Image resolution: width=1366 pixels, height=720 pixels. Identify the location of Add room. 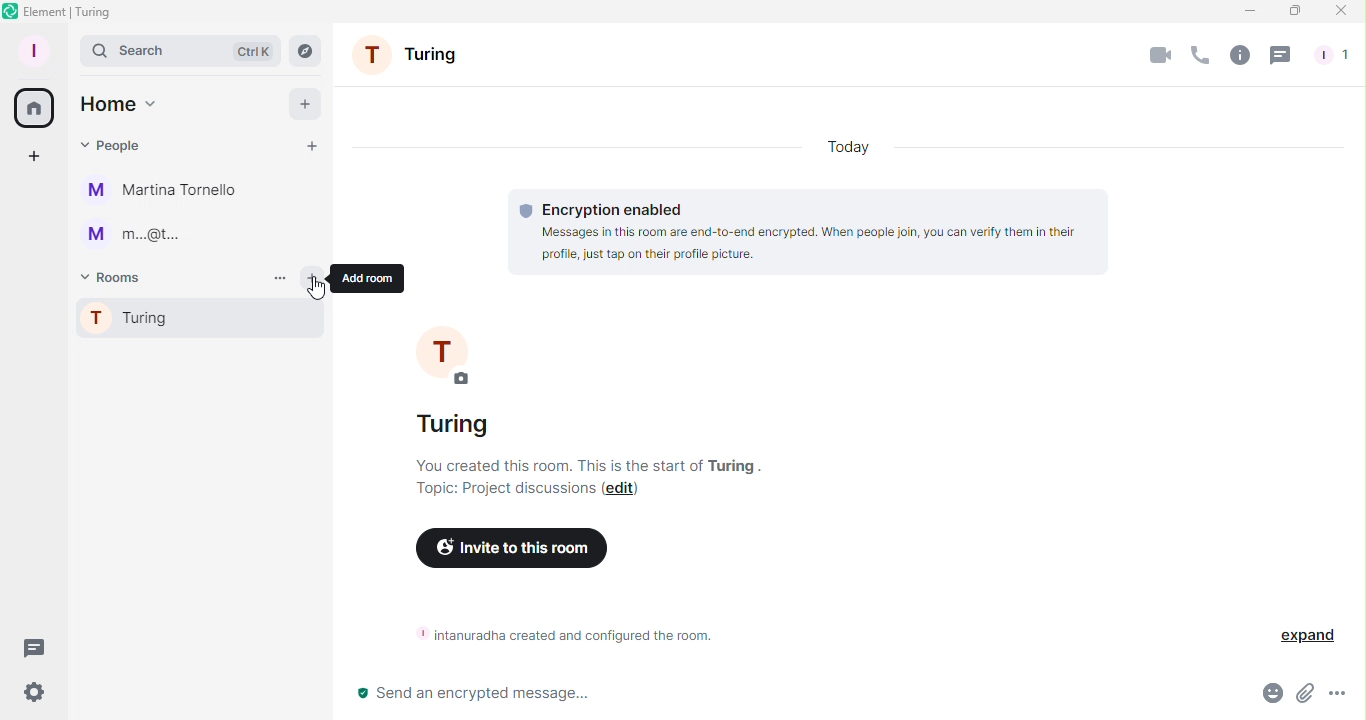
(314, 279).